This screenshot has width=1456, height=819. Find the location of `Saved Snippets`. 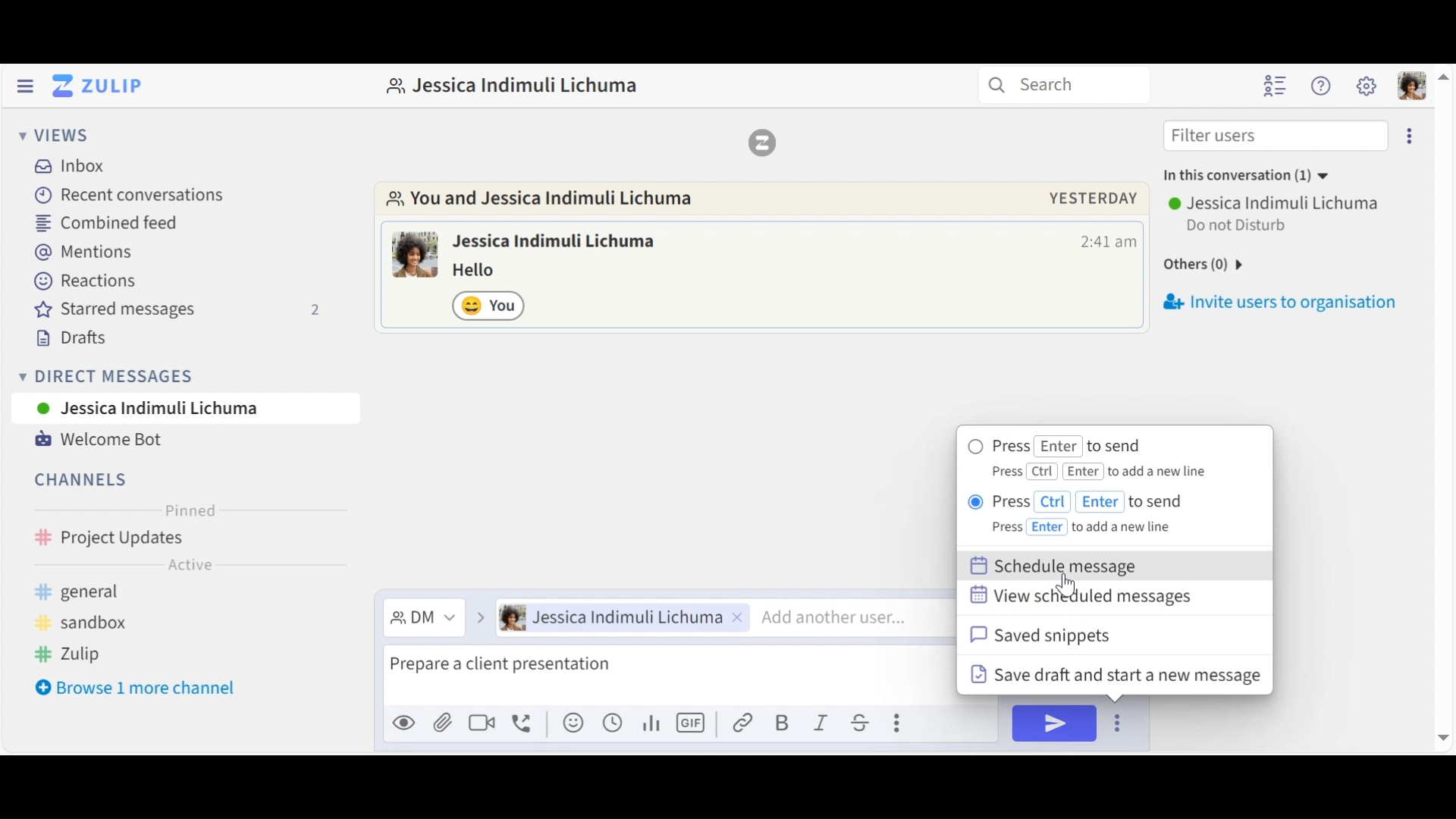

Saved Snippets is located at coordinates (1043, 635).